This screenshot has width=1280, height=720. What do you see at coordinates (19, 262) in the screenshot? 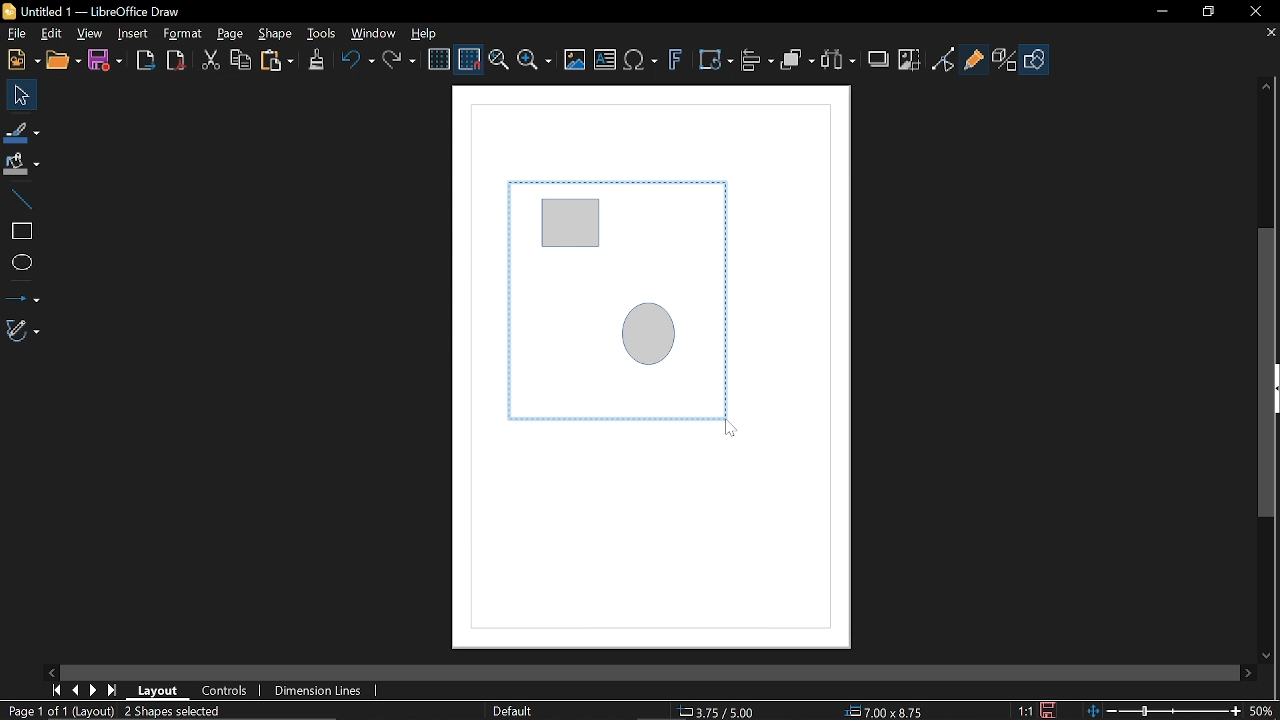
I see `Ellipse` at bounding box center [19, 262].